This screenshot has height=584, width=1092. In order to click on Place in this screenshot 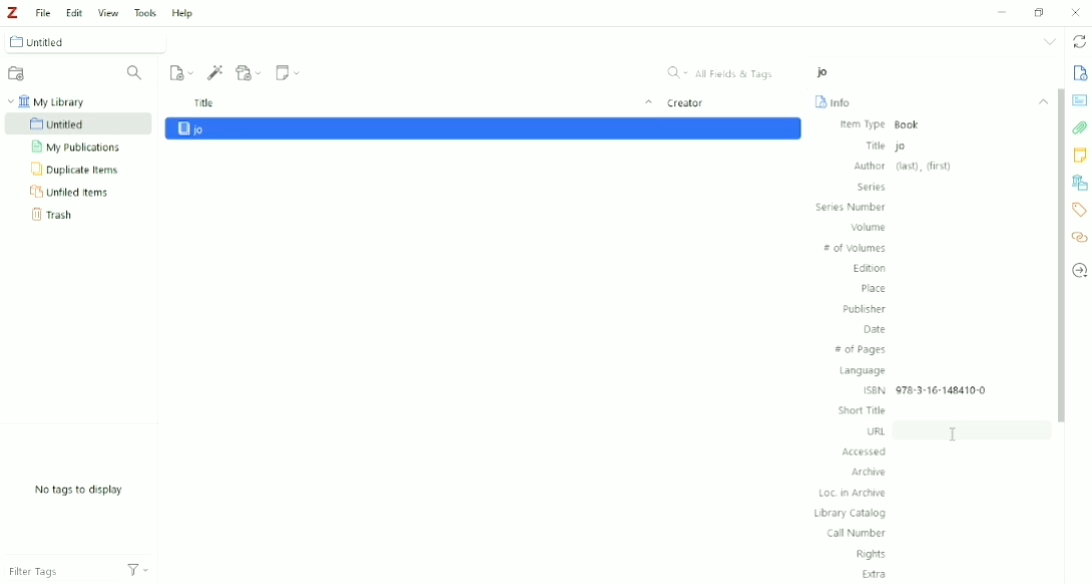, I will do `click(873, 288)`.